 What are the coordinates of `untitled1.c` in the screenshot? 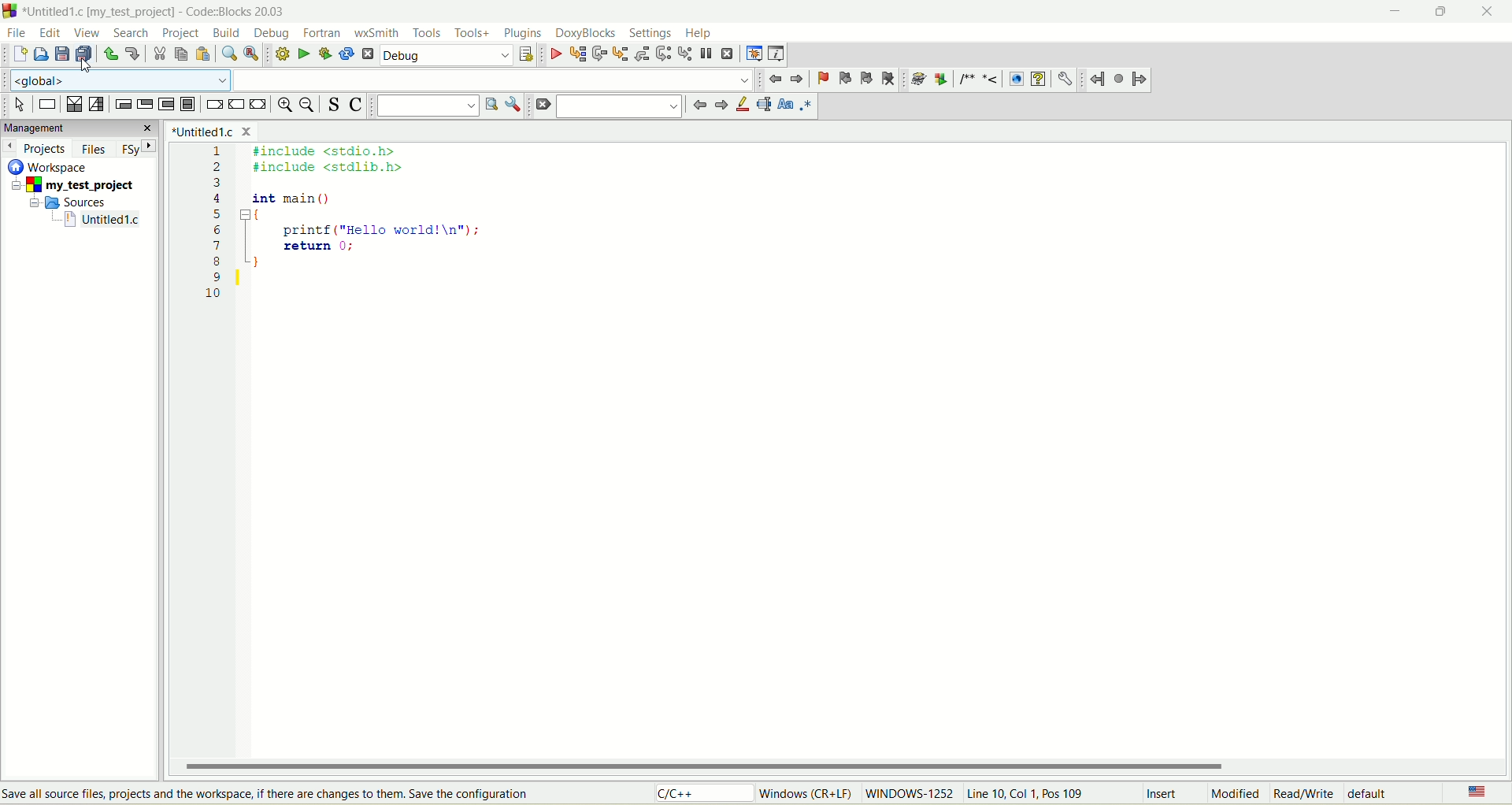 It's located at (102, 221).